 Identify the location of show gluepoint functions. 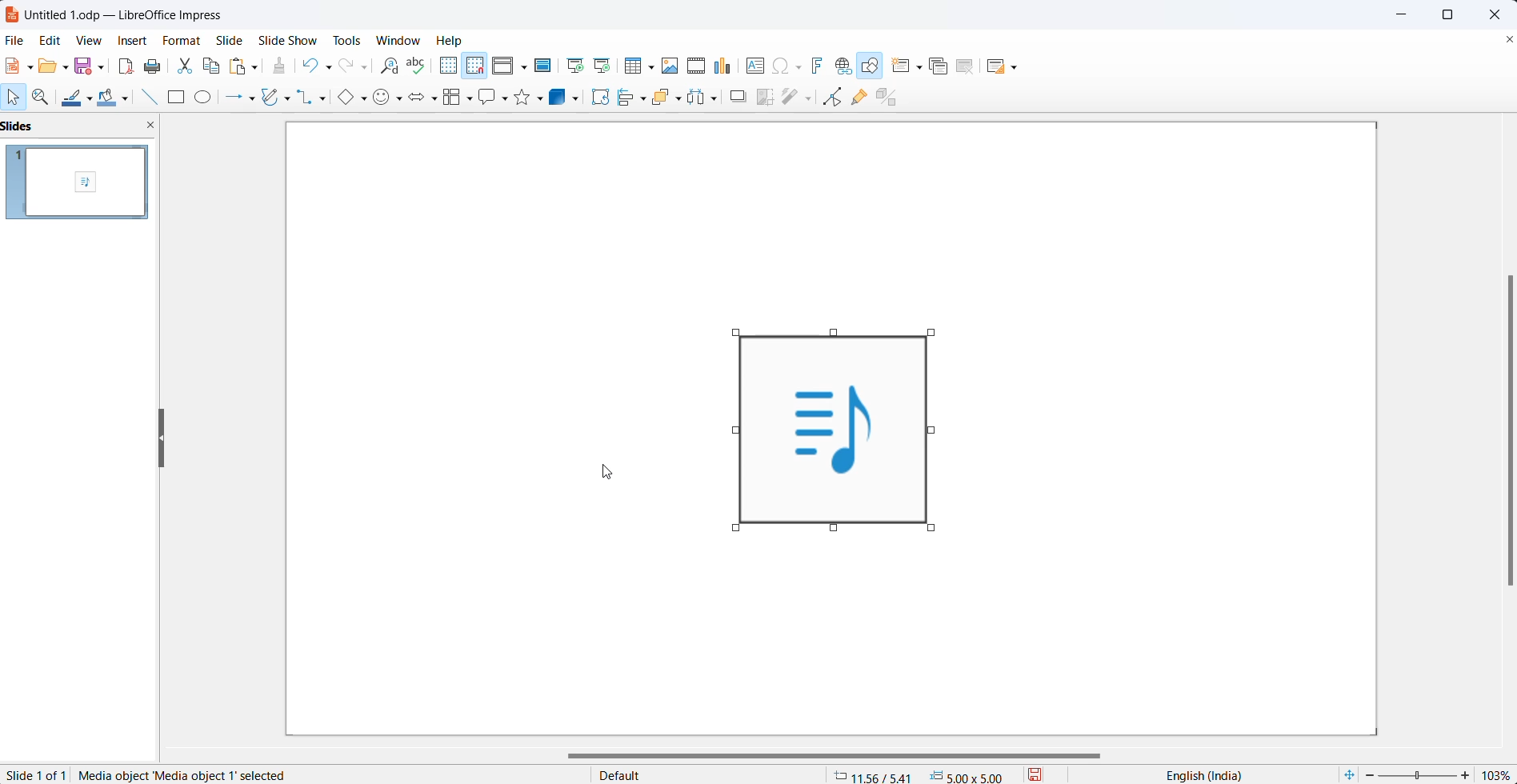
(859, 99).